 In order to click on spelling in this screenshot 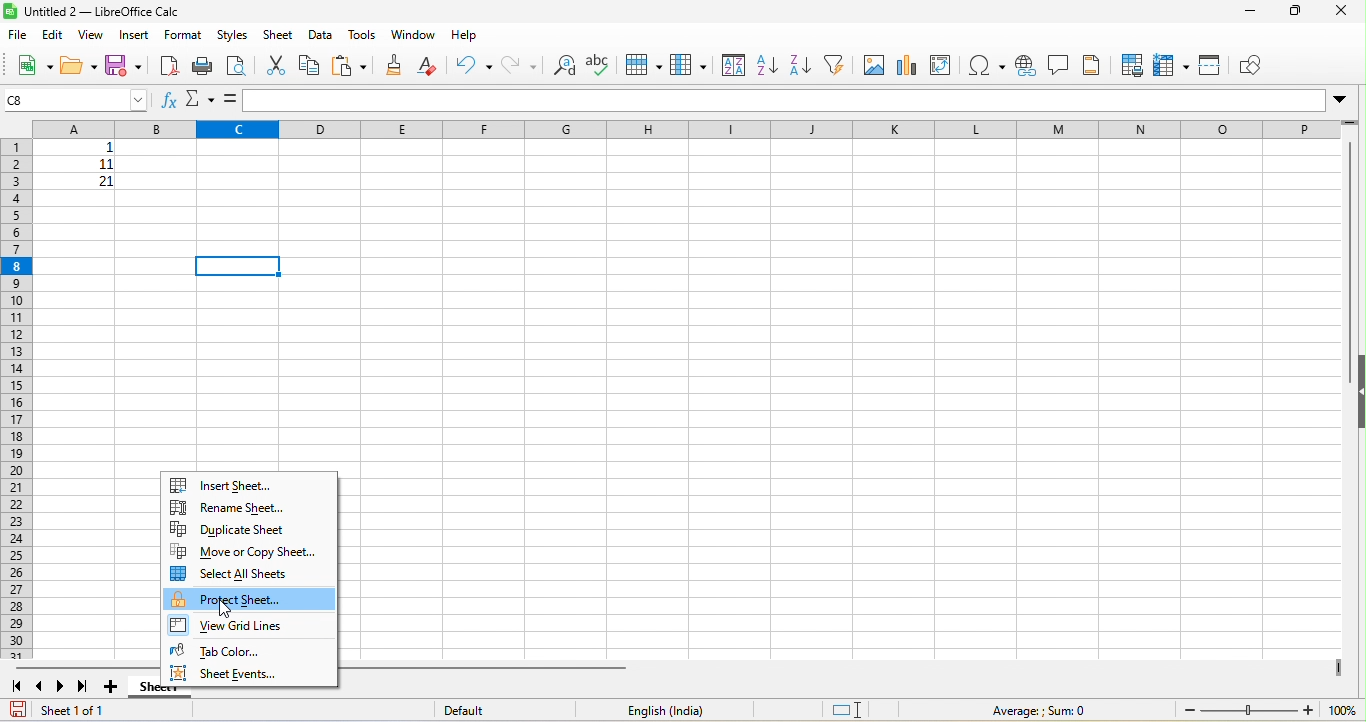, I will do `click(598, 64)`.